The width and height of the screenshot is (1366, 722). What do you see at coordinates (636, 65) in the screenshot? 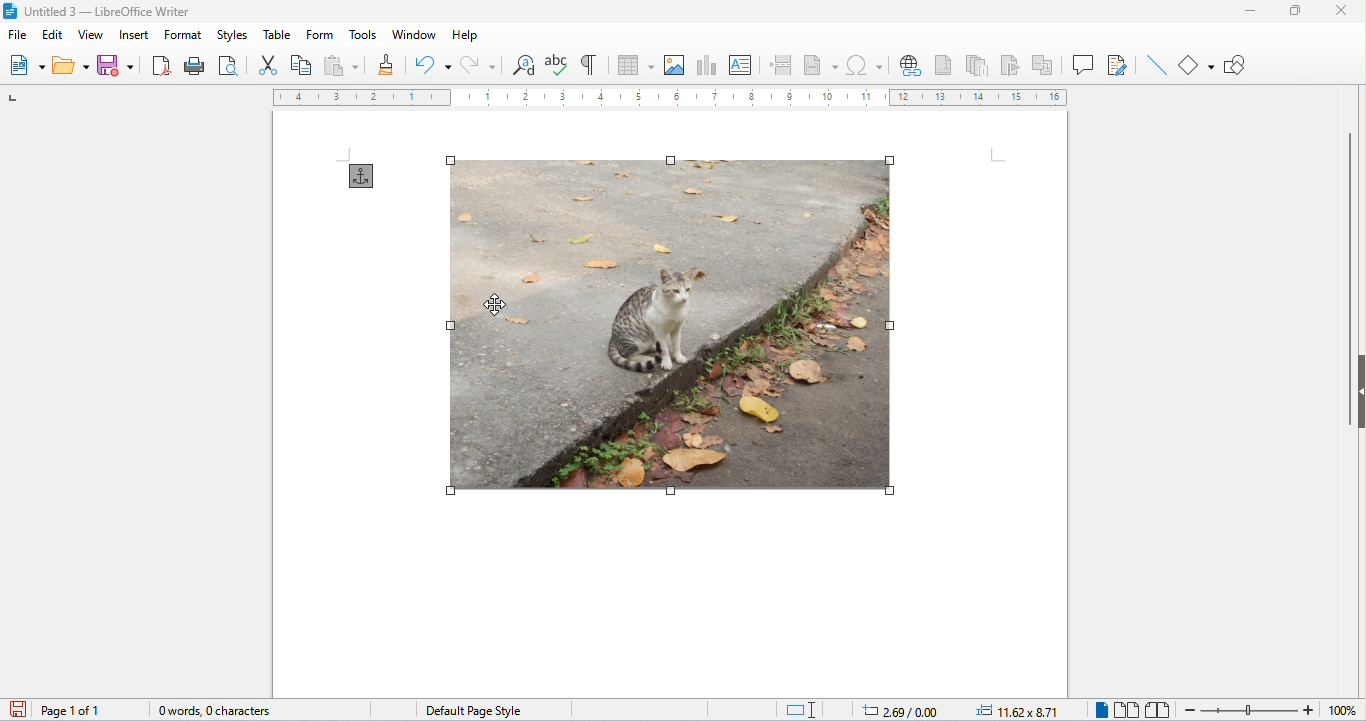
I see `table` at bounding box center [636, 65].